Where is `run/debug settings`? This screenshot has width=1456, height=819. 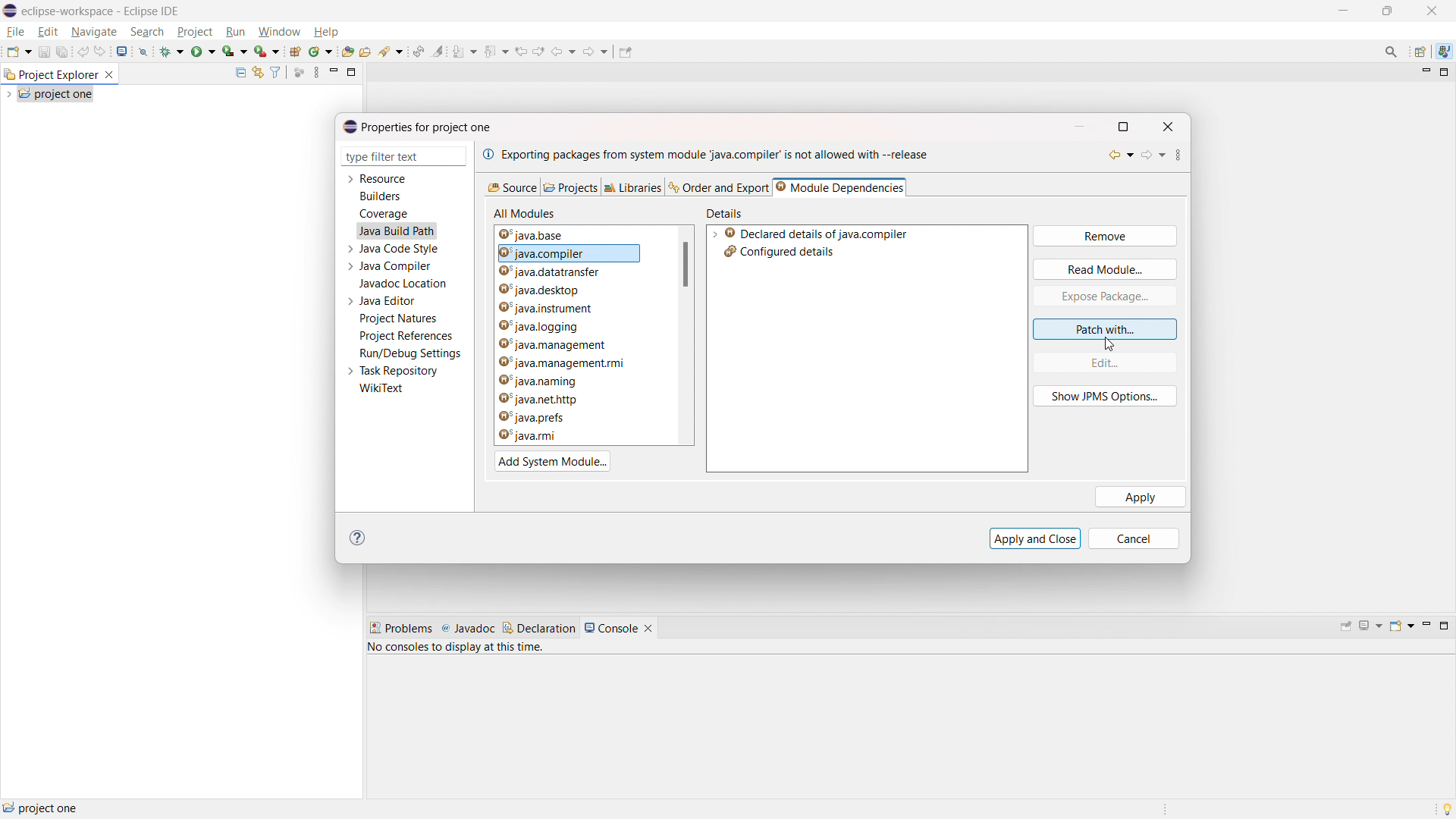
run/debug settings is located at coordinates (411, 353).